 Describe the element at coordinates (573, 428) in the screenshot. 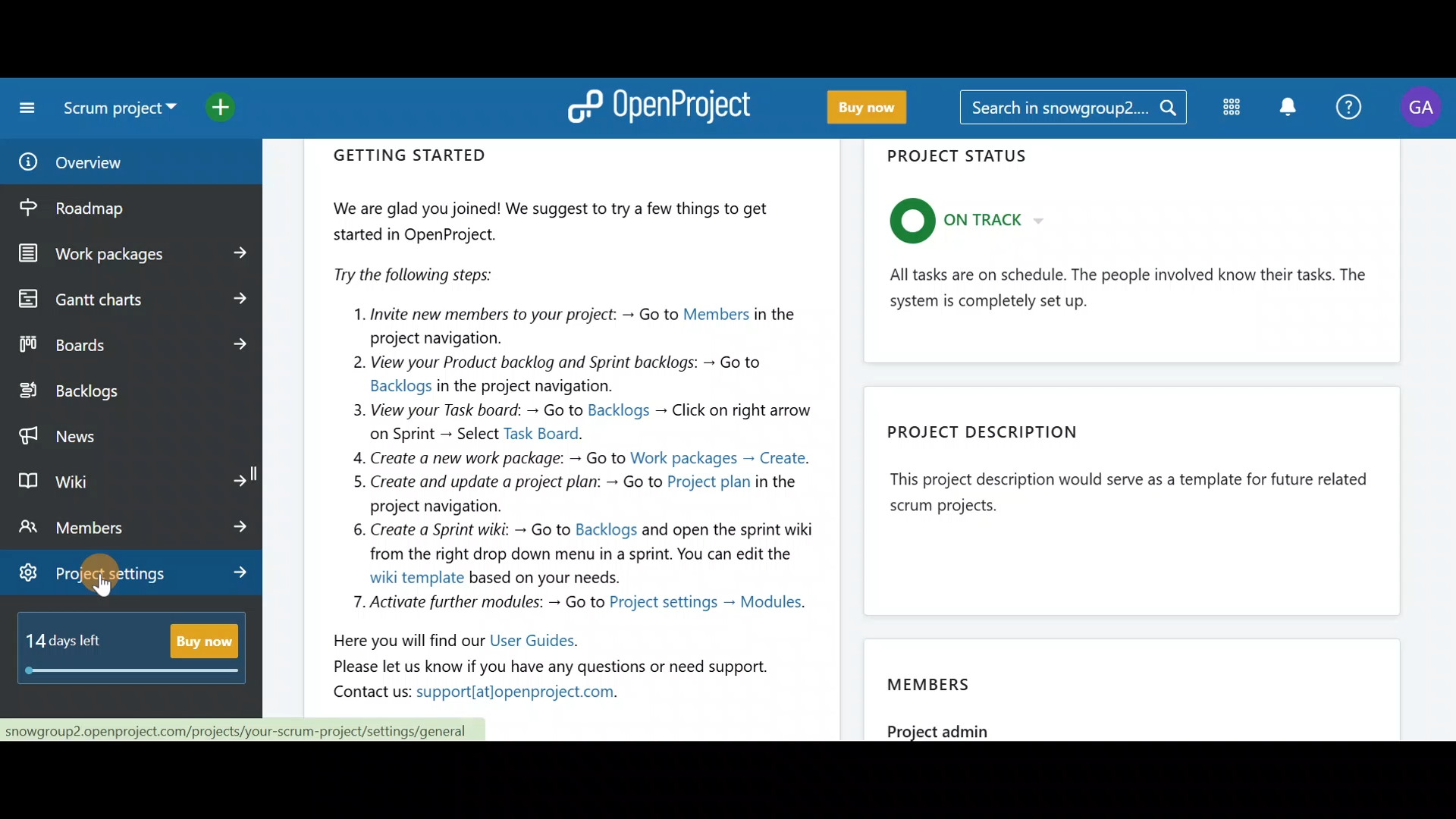

I see `Getting started` at that location.